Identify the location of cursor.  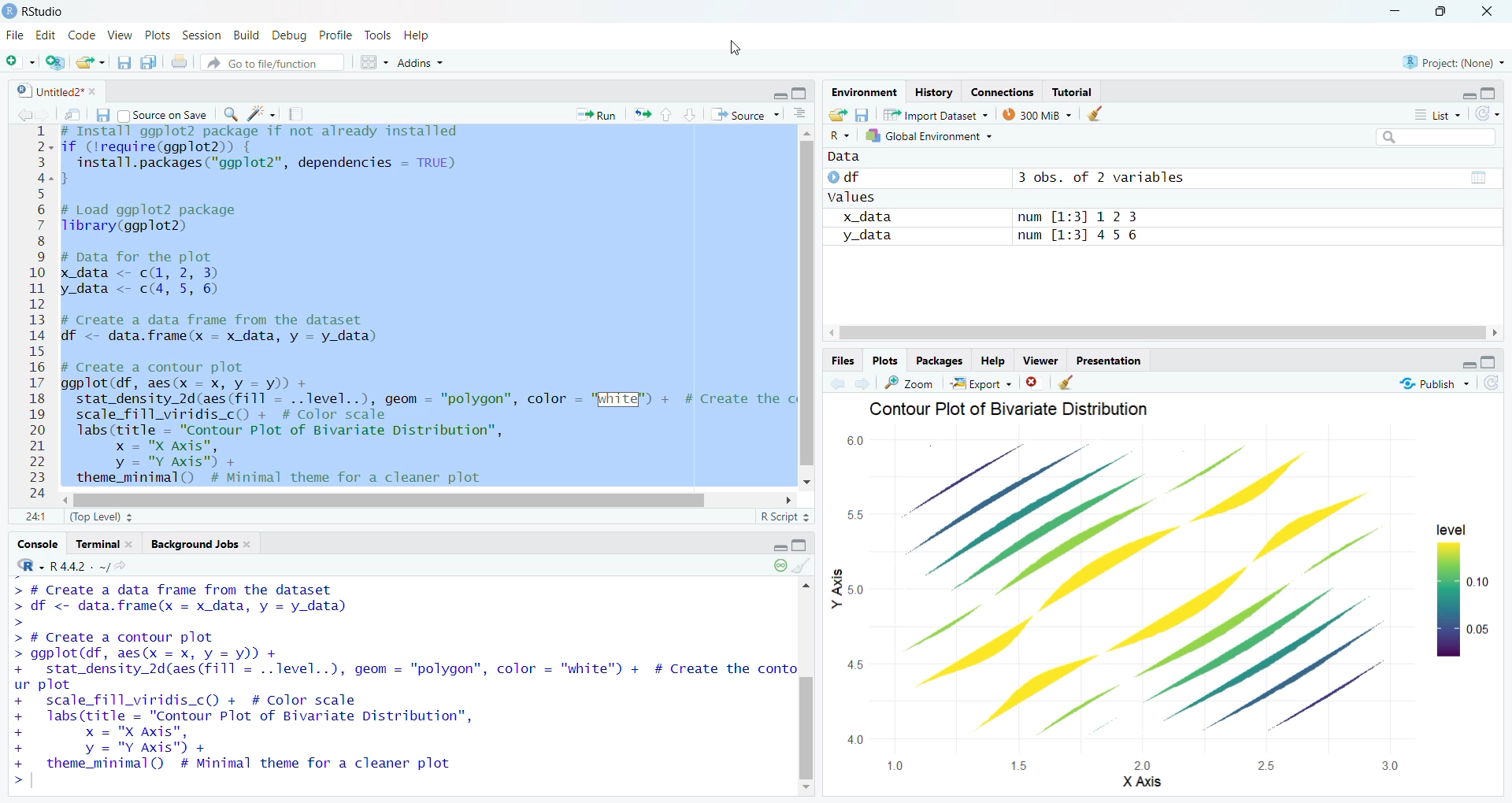
(735, 47).